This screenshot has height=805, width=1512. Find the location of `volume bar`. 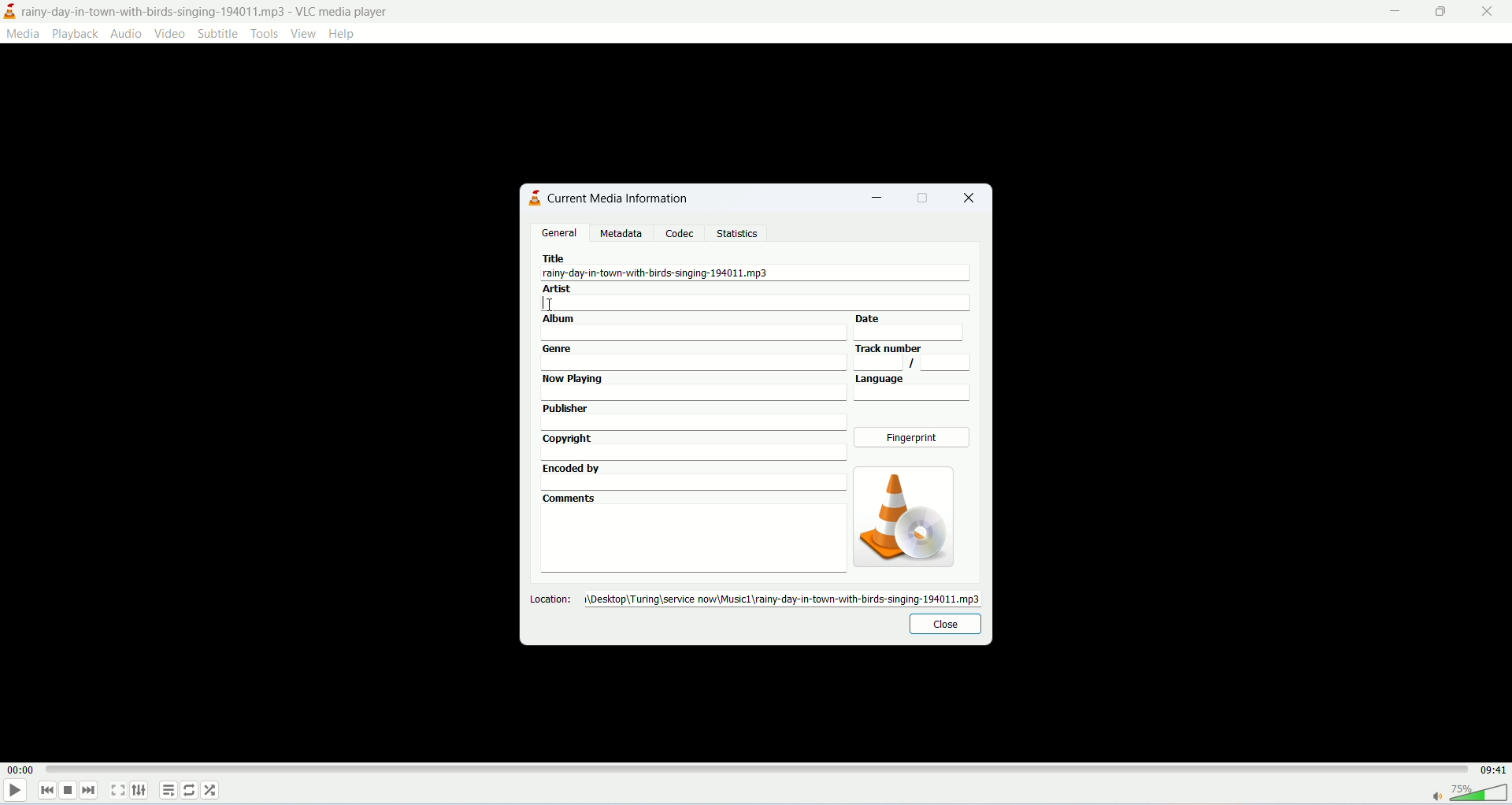

volume bar is located at coordinates (1466, 794).